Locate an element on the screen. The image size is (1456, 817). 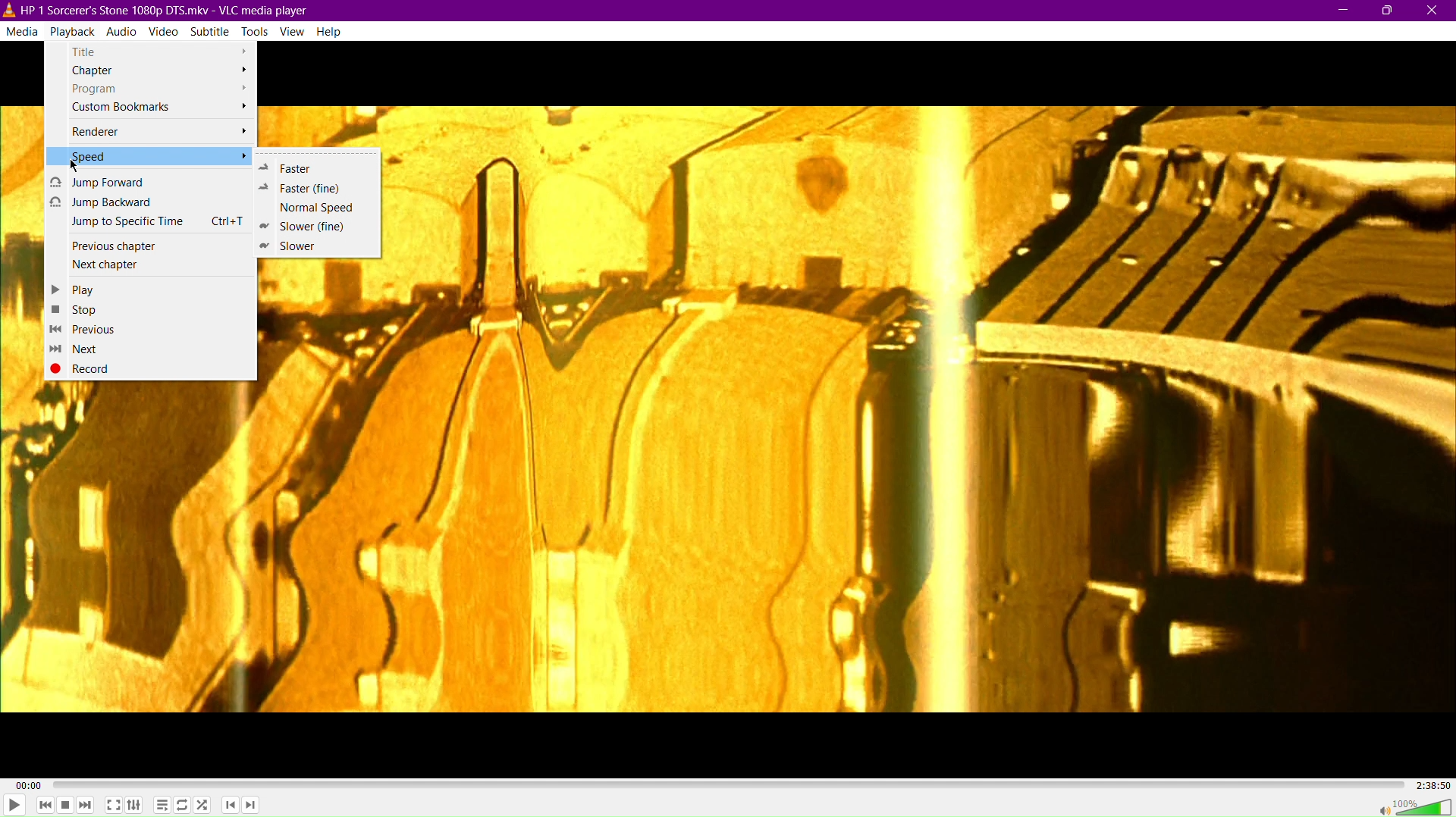
Title is located at coordinates (151, 50).